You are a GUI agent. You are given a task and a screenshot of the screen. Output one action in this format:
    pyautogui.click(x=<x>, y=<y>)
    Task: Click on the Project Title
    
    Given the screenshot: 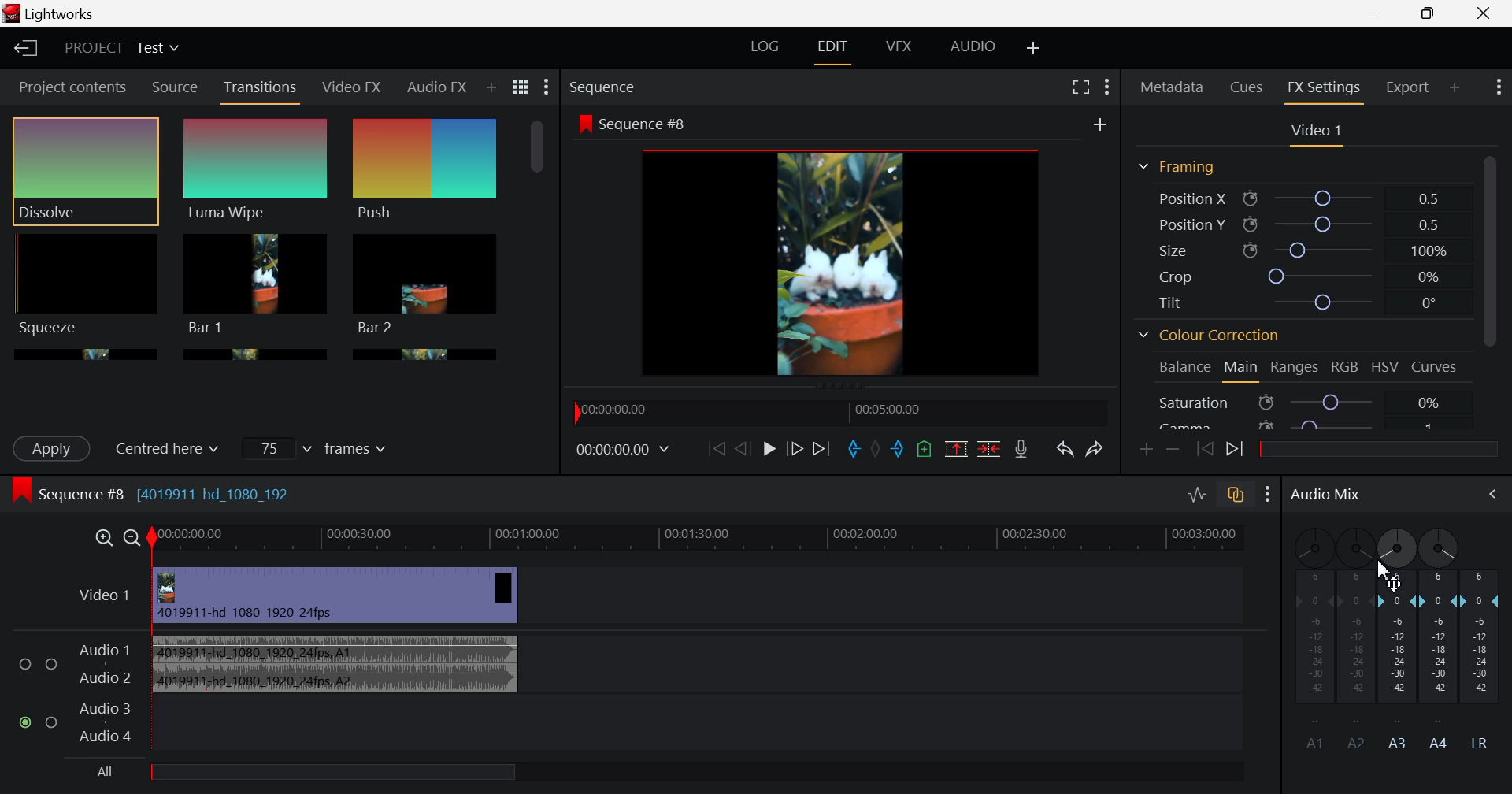 What is the action you would take?
    pyautogui.click(x=124, y=48)
    